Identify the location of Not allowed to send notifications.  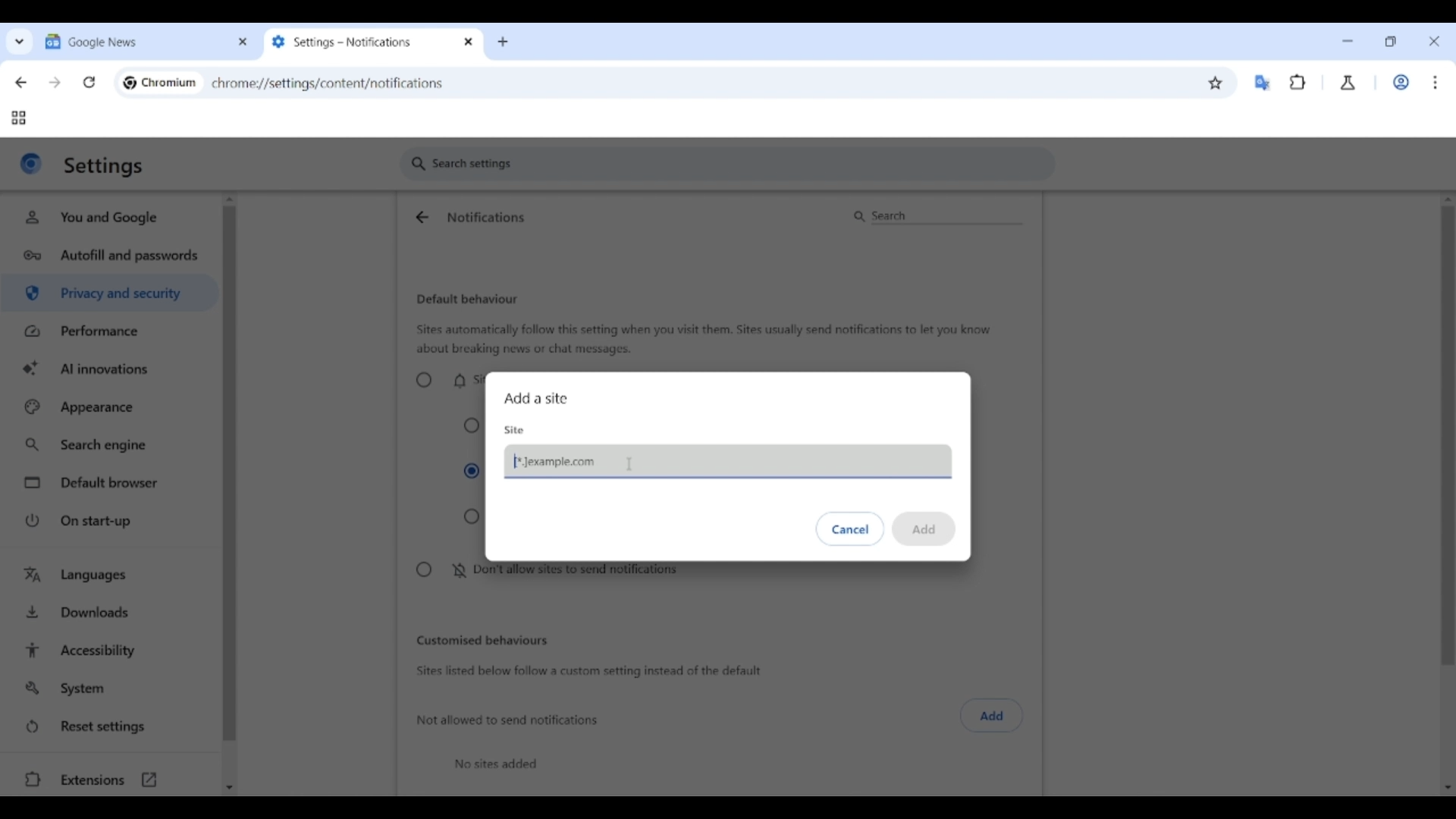
(509, 720).